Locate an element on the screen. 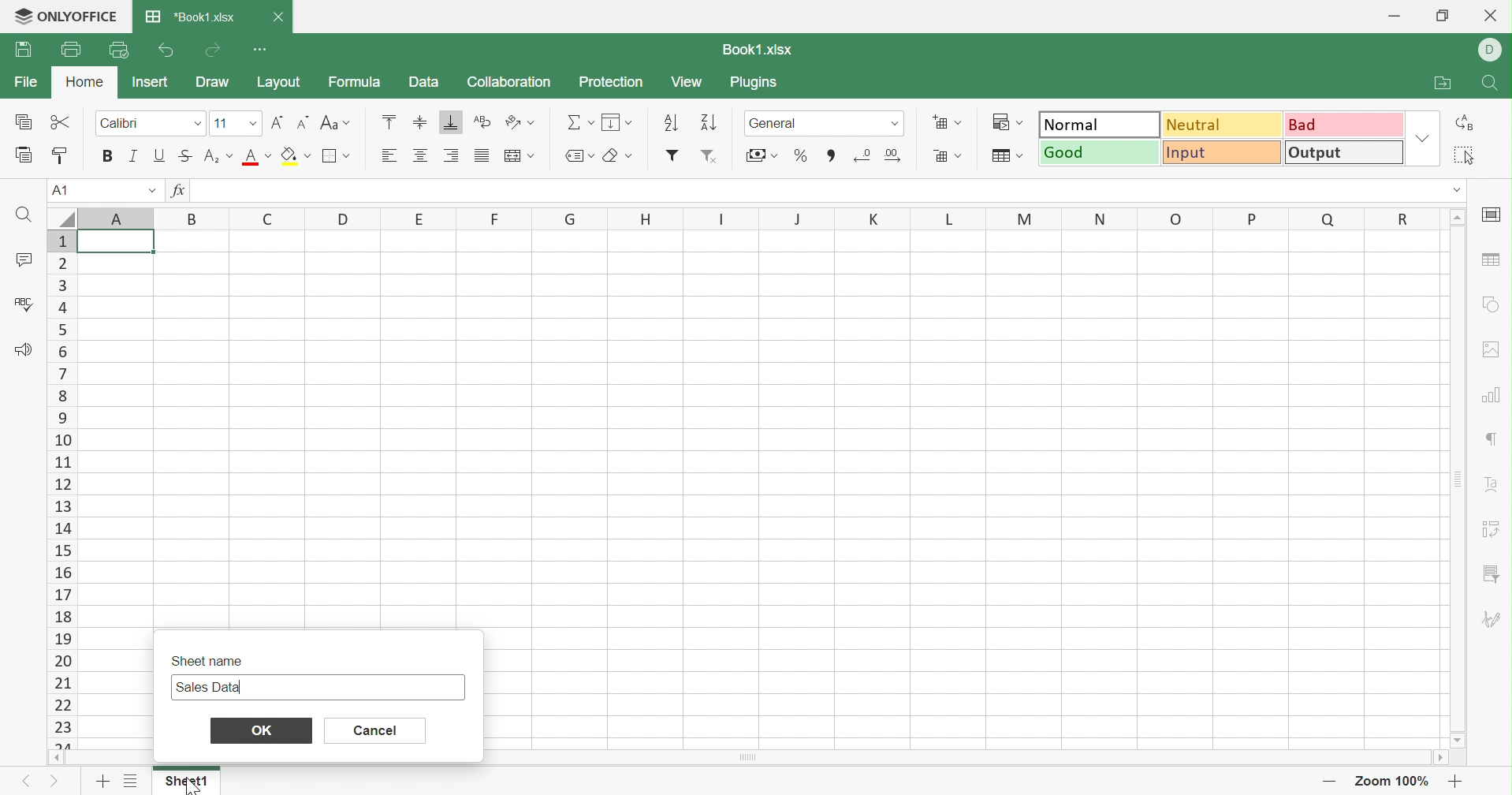 The image size is (1512, 795). Cut is located at coordinates (63, 121).